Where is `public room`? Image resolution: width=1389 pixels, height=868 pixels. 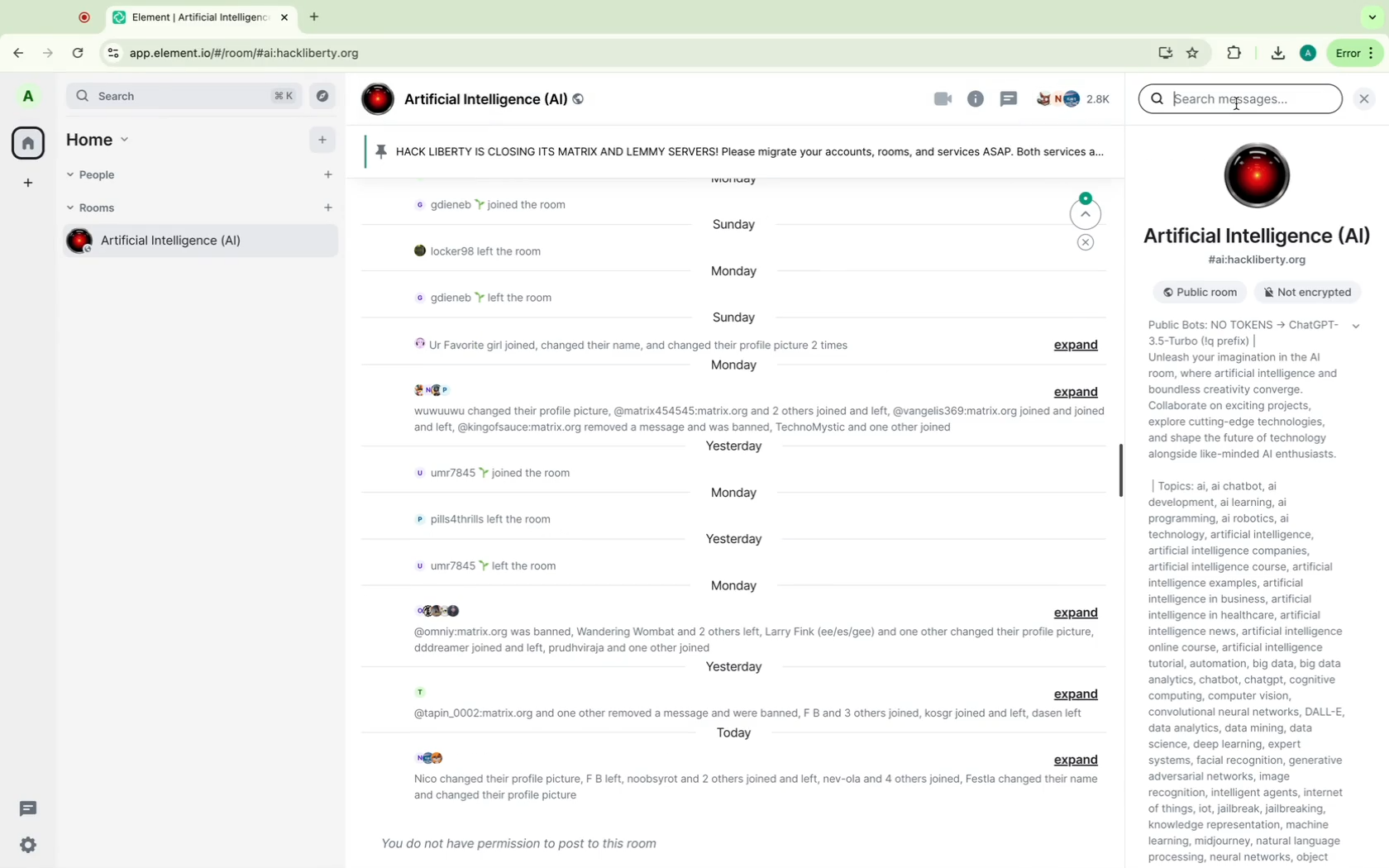 public room is located at coordinates (1196, 293).